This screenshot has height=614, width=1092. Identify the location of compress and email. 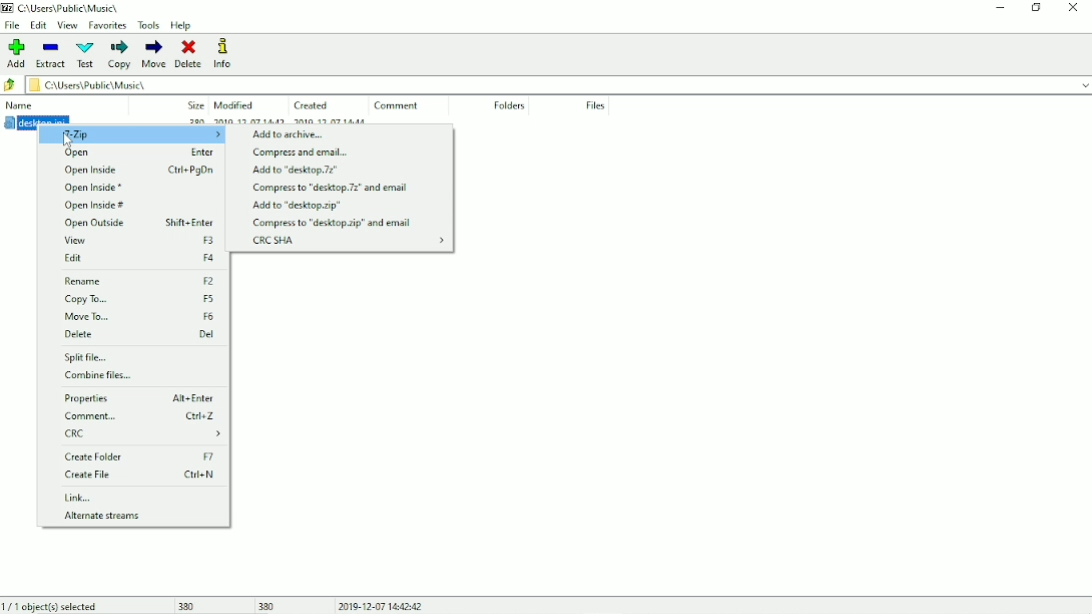
(301, 152).